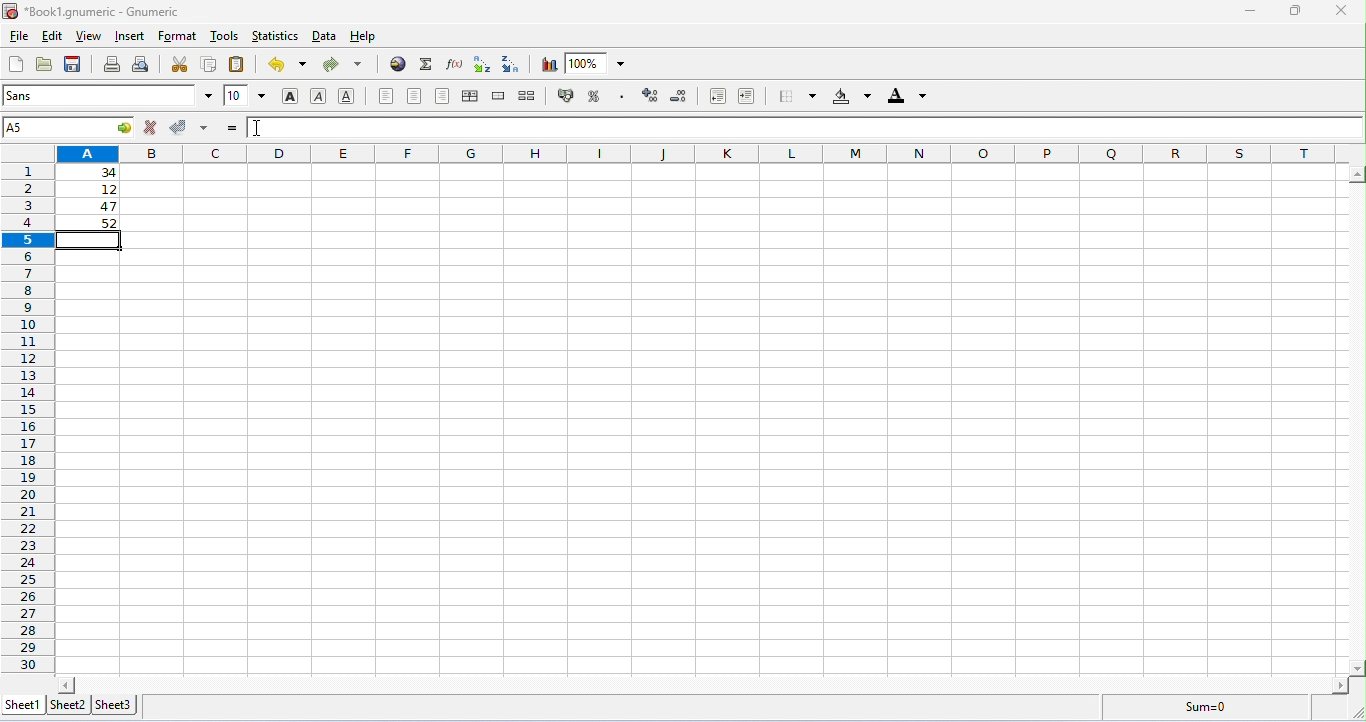  What do you see at coordinates (238, 64) in the screenshot?
I see `paste` at bounding box center [238, 64].